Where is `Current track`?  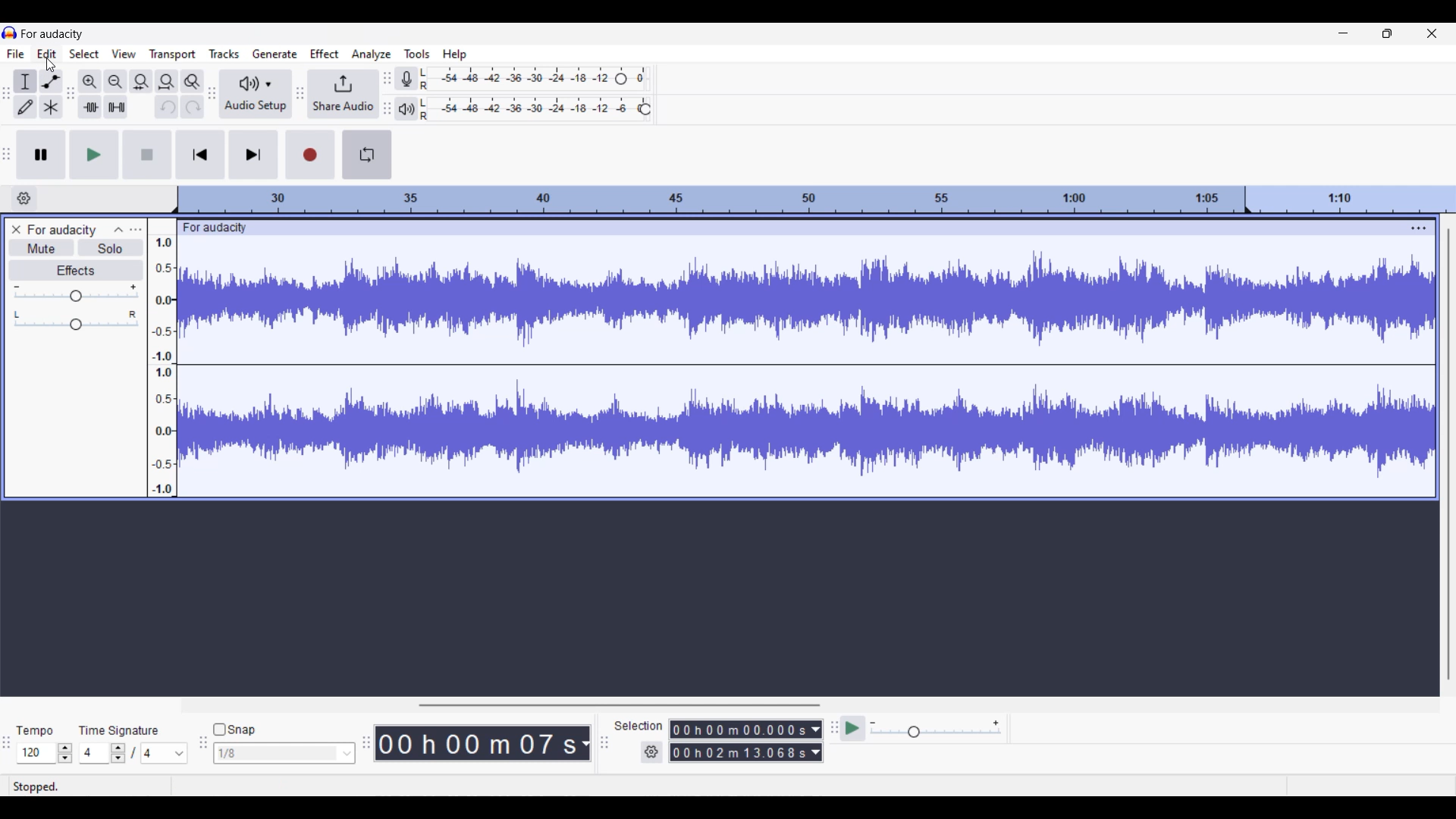
Current track is located at coordinates (792, 367).